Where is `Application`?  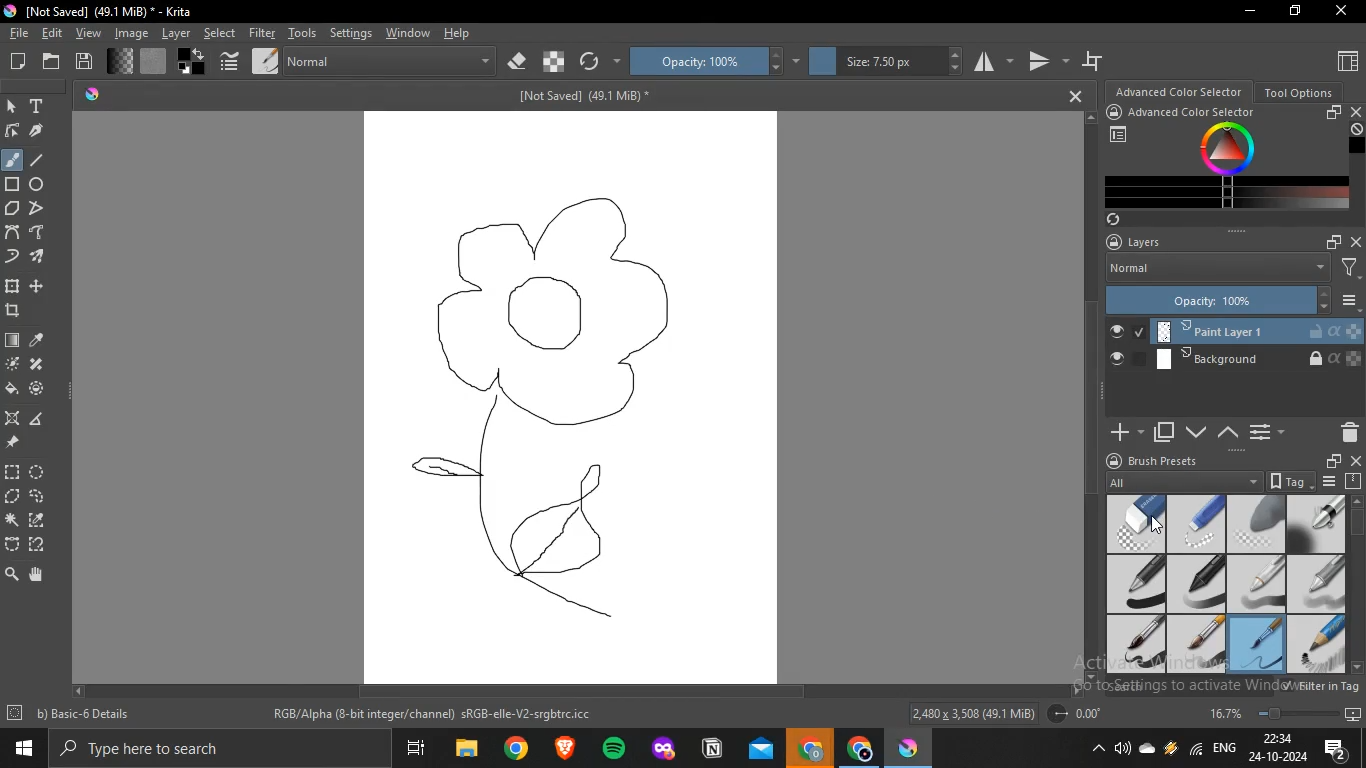 Application is located at coordinates (418, 749).